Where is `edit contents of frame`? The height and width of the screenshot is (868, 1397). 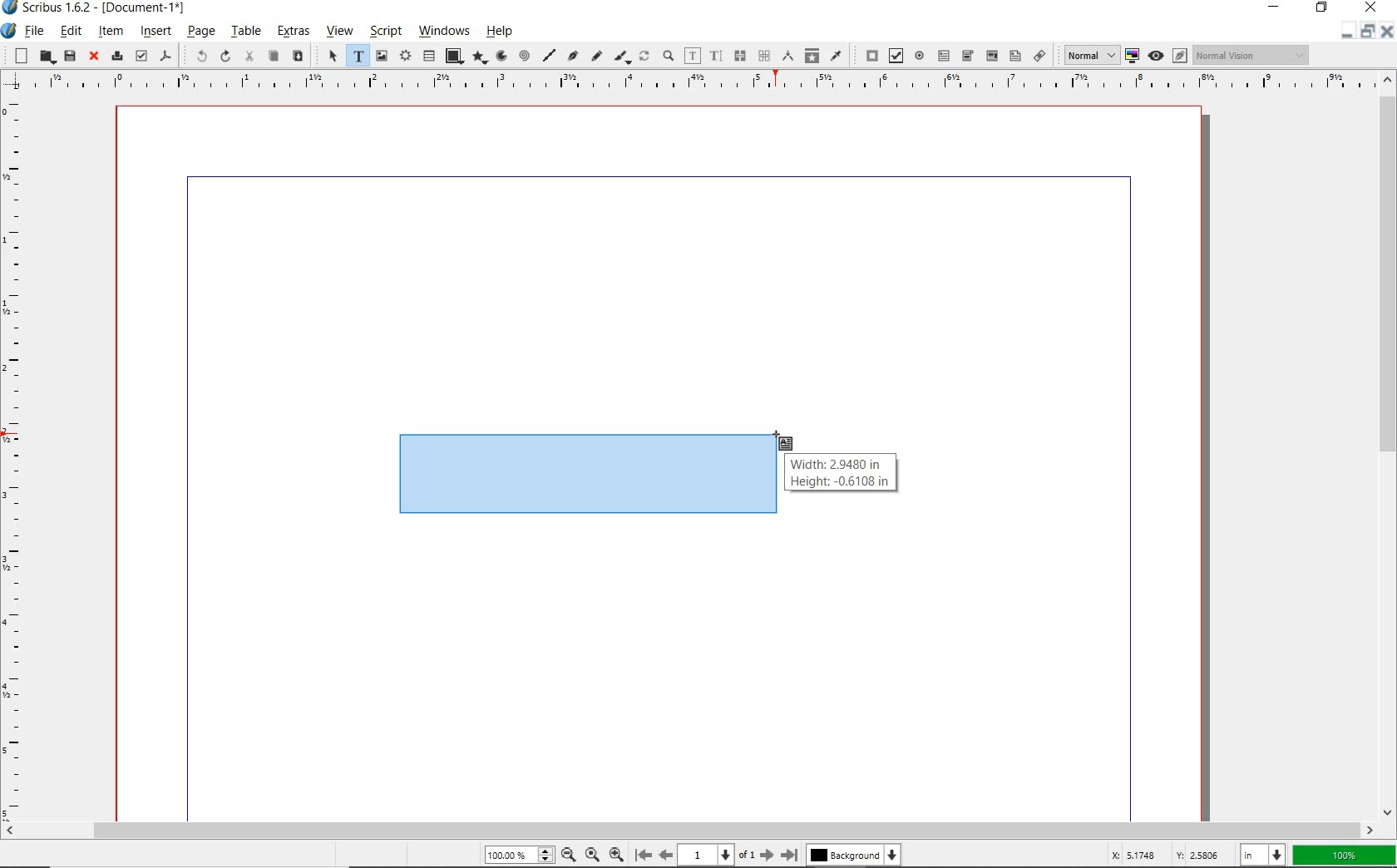
edit contents of frame is located at coordinates (693, 57).